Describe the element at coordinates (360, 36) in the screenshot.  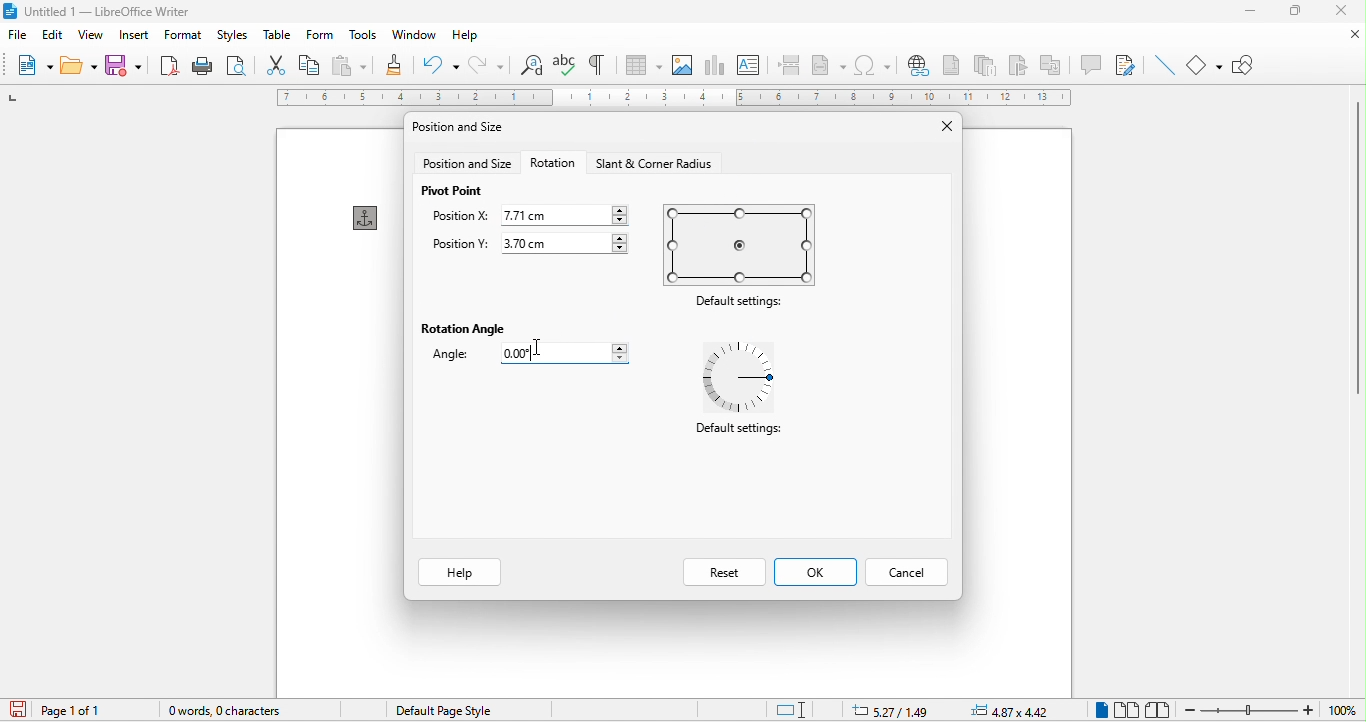
I see `tools` at that location.